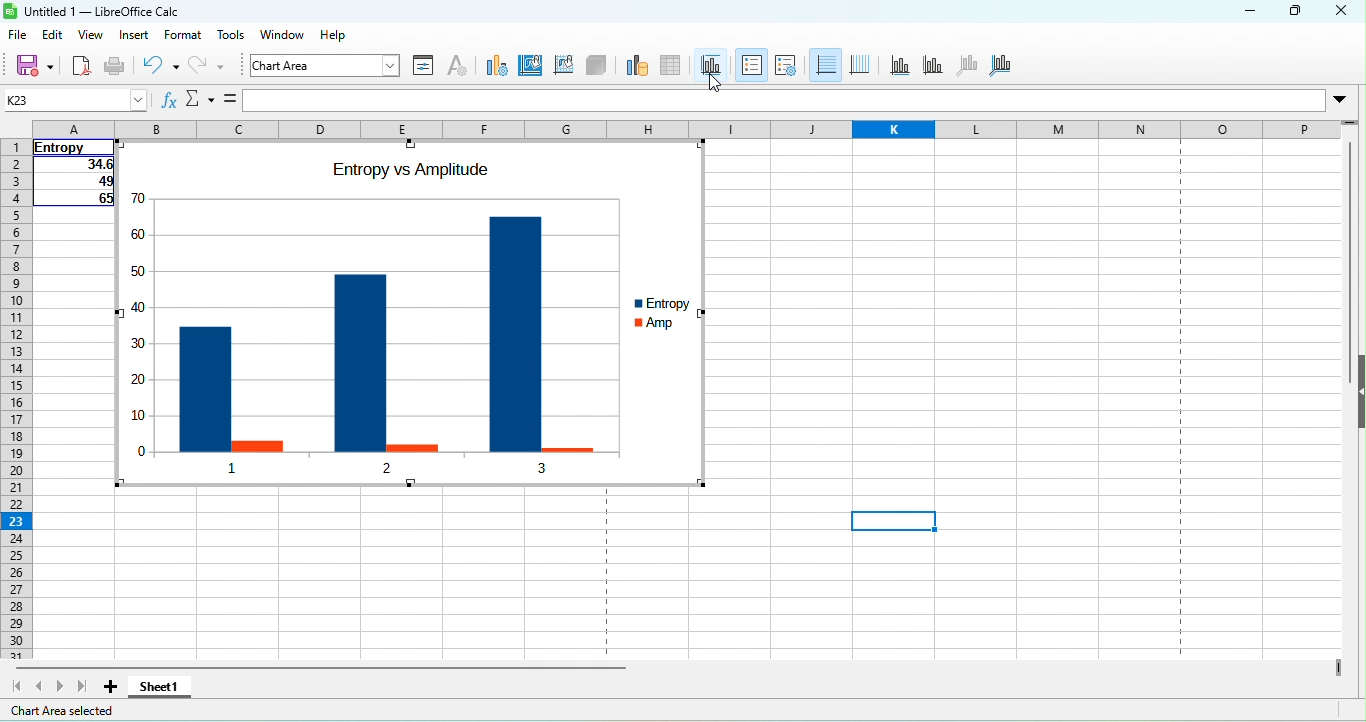 This screenshot has height=722, width=1366. I want to click on chart wall, so click(565, 69).